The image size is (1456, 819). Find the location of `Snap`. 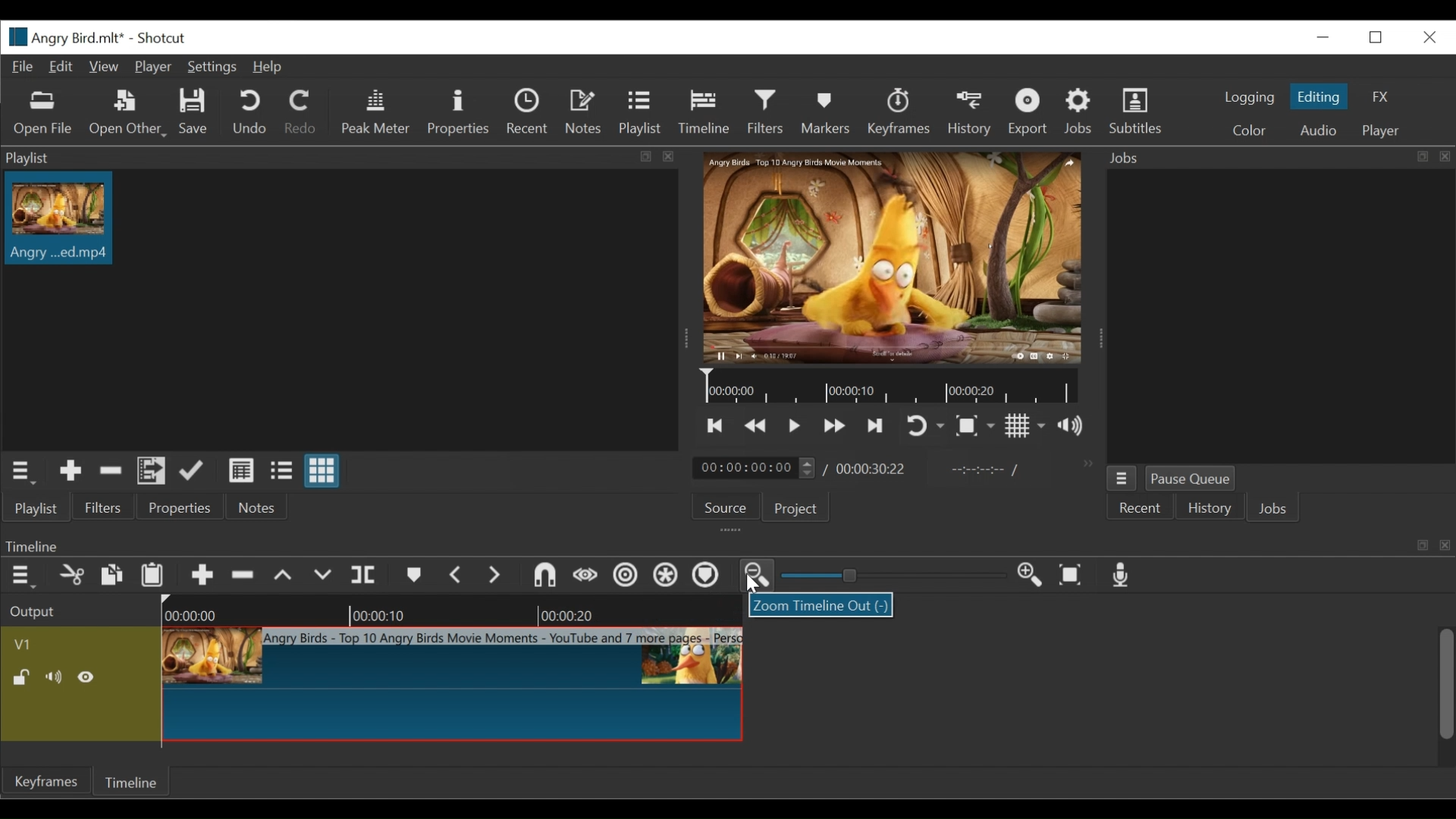

Snap is located at coordinates (664, 576).